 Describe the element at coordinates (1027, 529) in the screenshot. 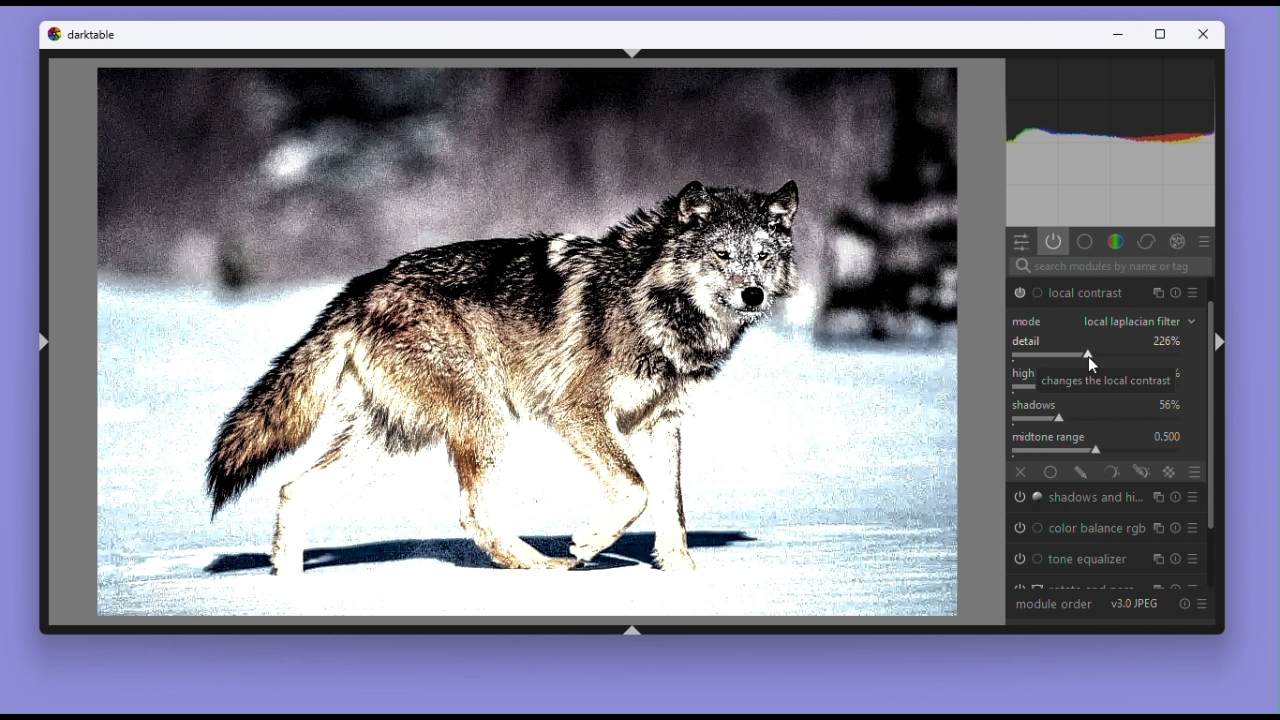

I see `'color balance rgb' is switched on` at that location.